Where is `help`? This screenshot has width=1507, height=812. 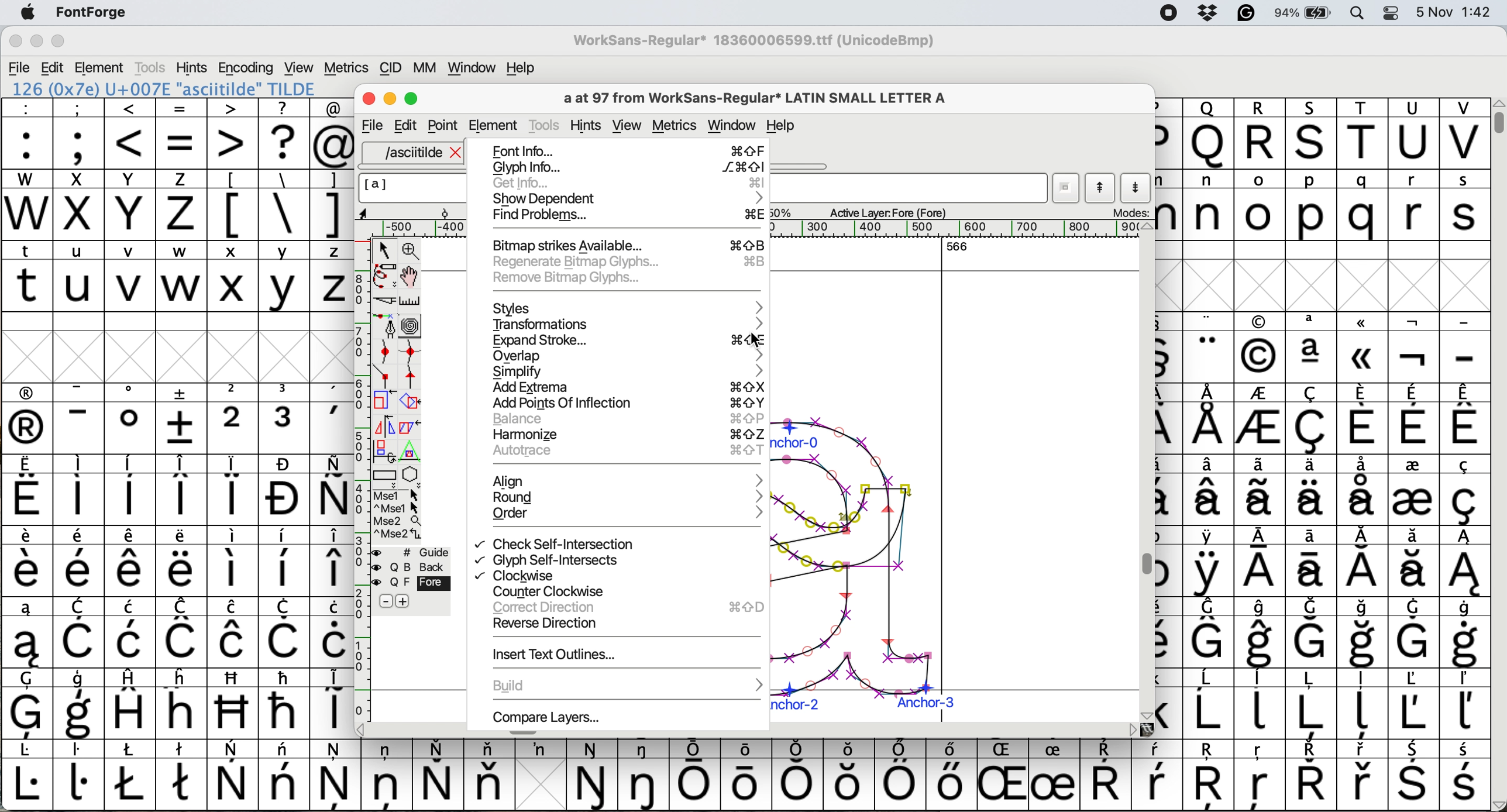
help is located at coordinates (522, 67).